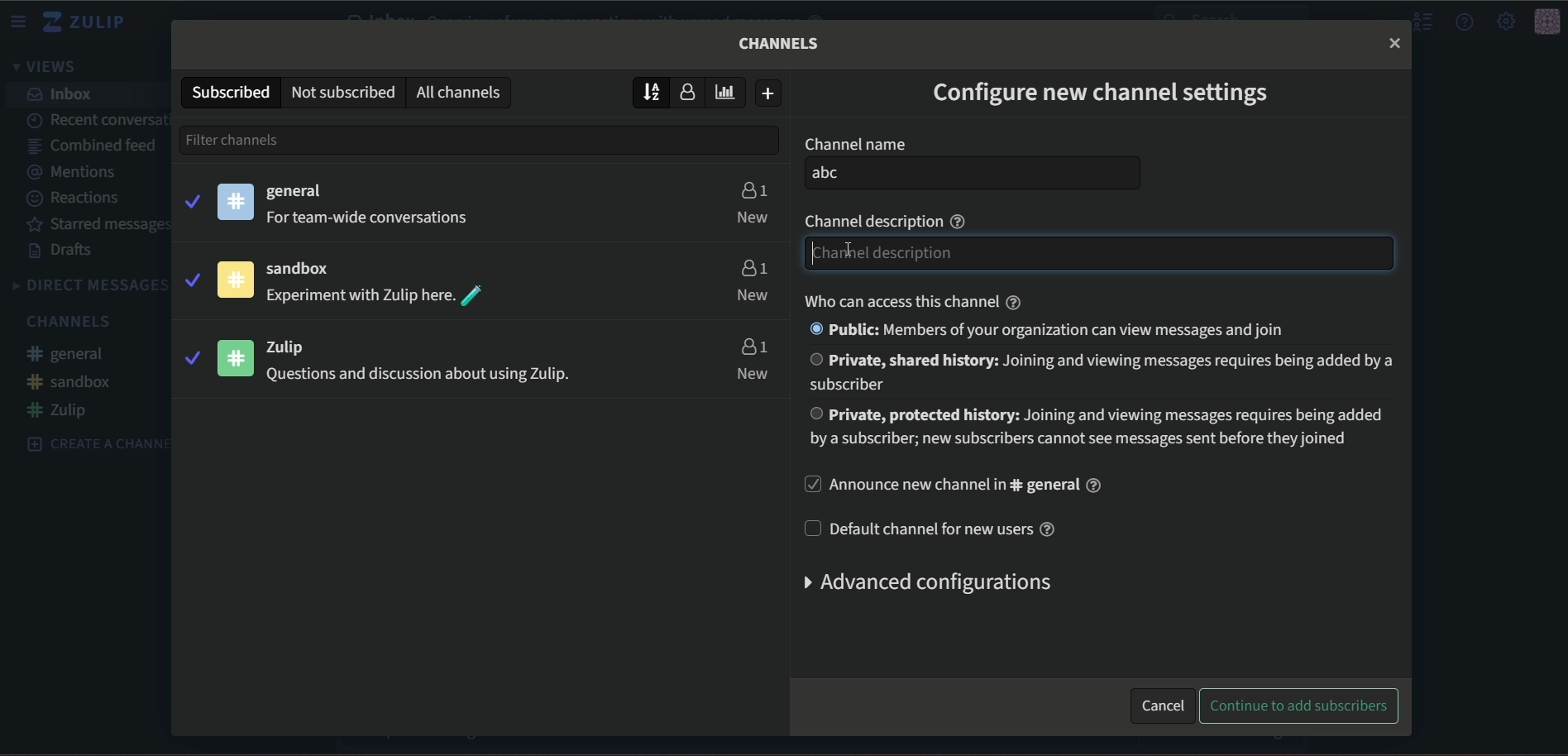  What do you see at coordinates (62, 94) in the screenshot?
I see `inbox` at bounding box center [62, 94].